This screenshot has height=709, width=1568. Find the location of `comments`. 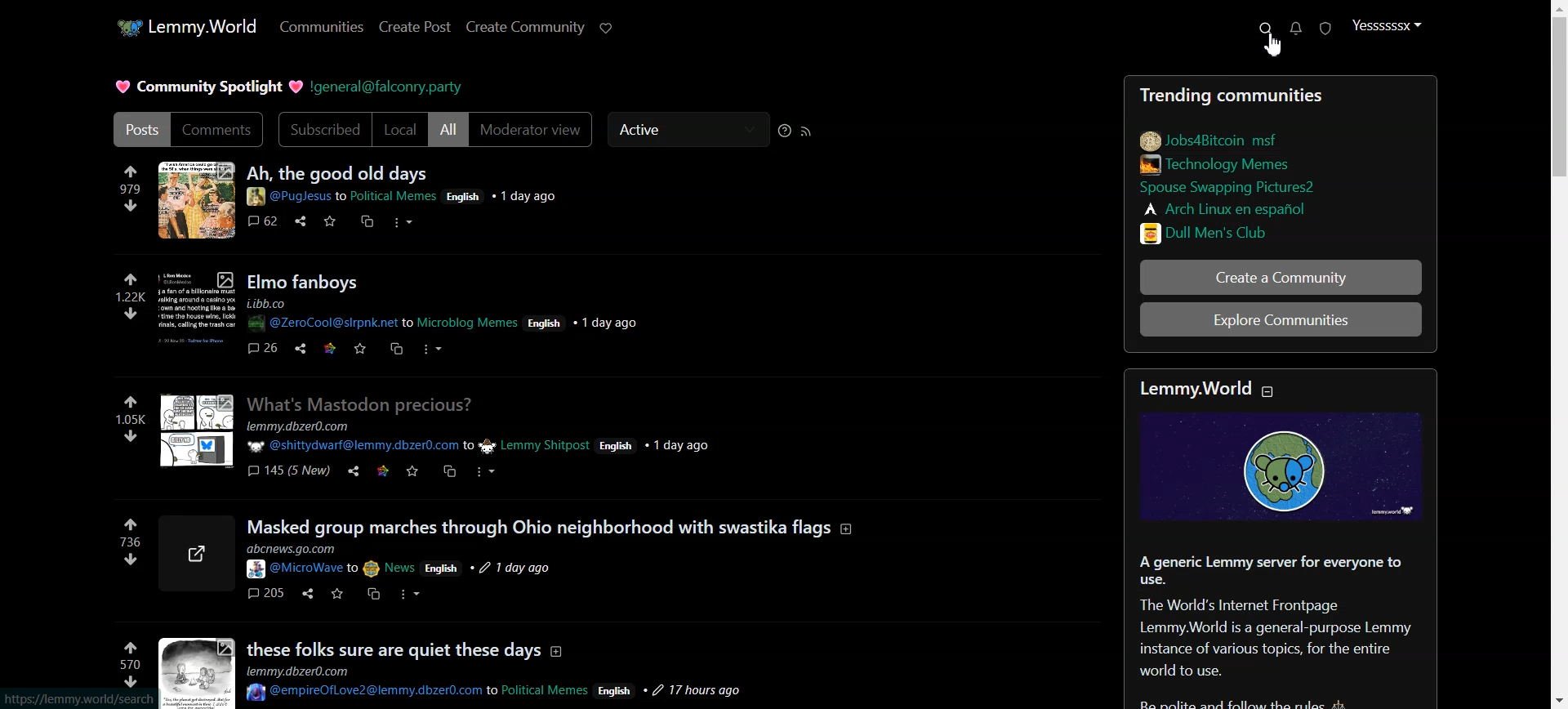

comments is located at coordinates (290, 473).